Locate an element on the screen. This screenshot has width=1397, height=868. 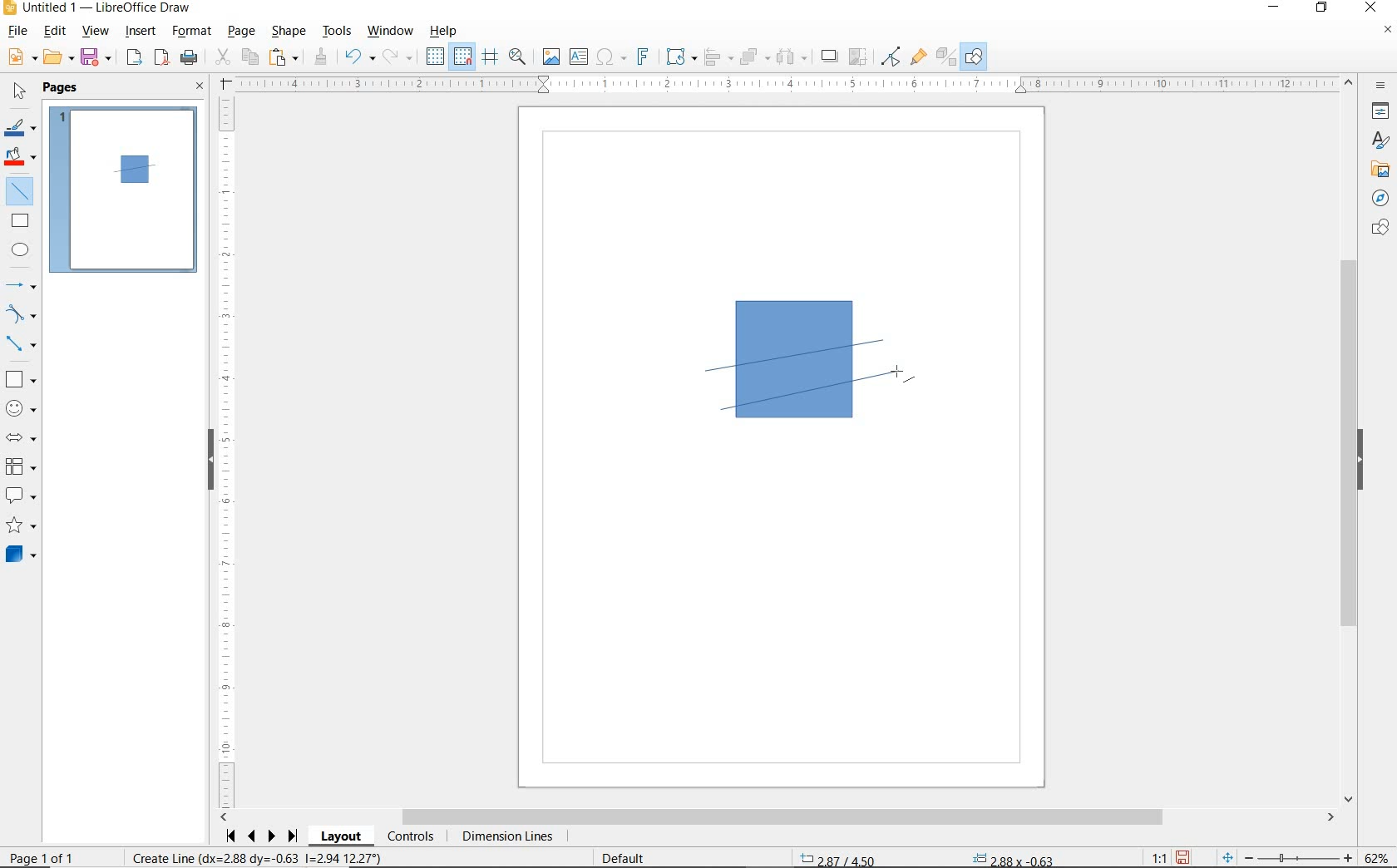
3D SHAPES is located at coordinates (21, 555).